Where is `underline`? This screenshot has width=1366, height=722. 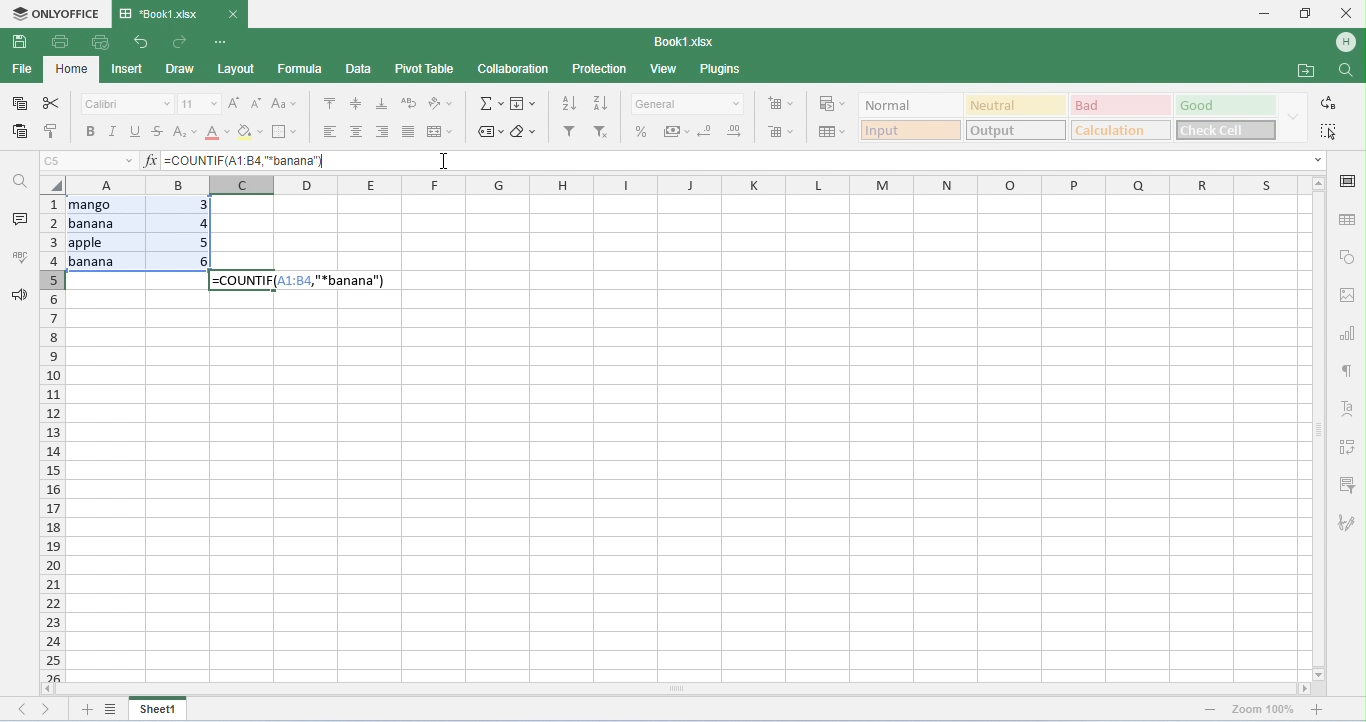 underline is located at coordinates (133, 131).